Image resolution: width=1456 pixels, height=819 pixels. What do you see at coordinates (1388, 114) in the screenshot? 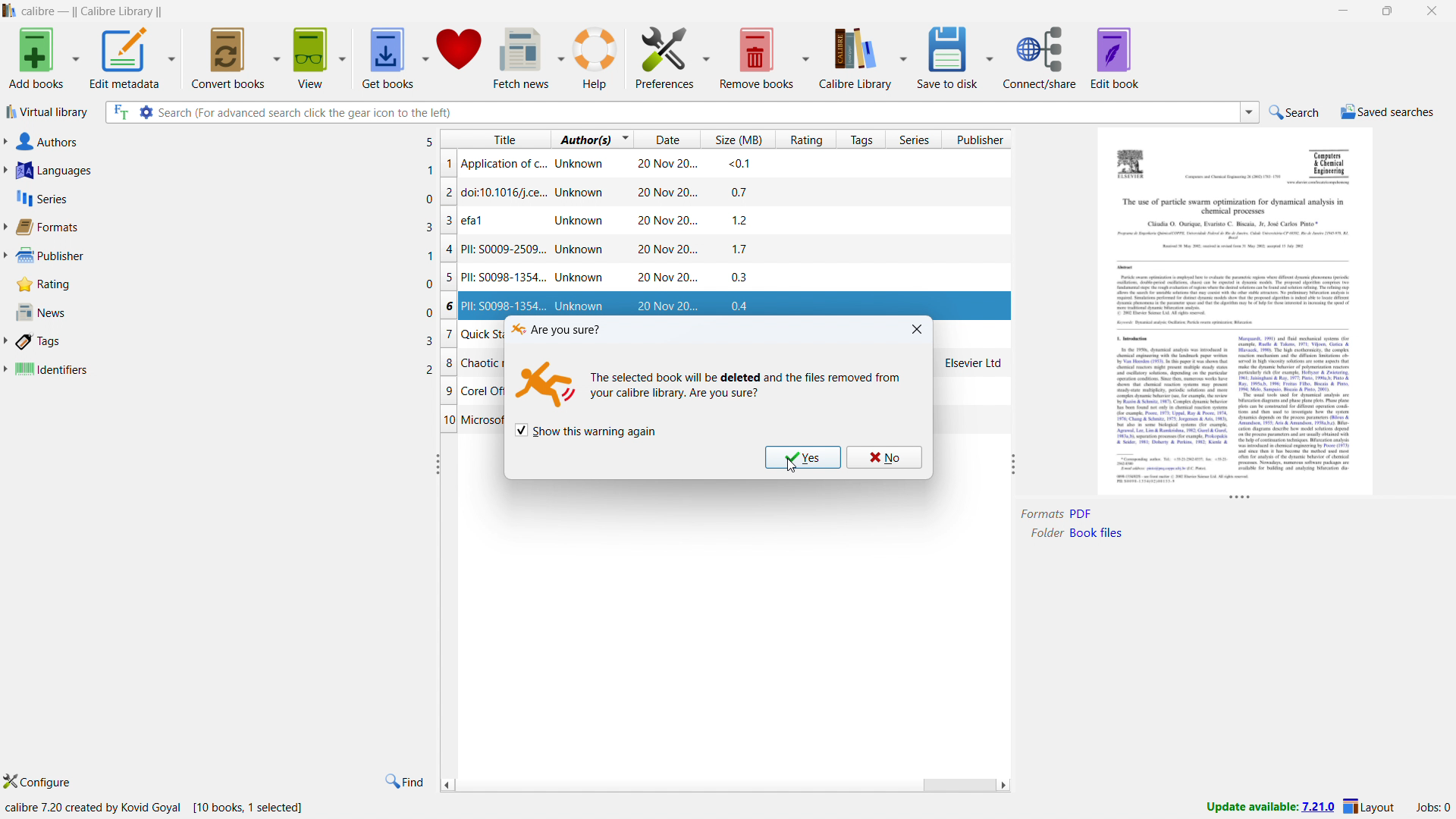
I see `saved serches menu` at bounding box center [1388, 114].